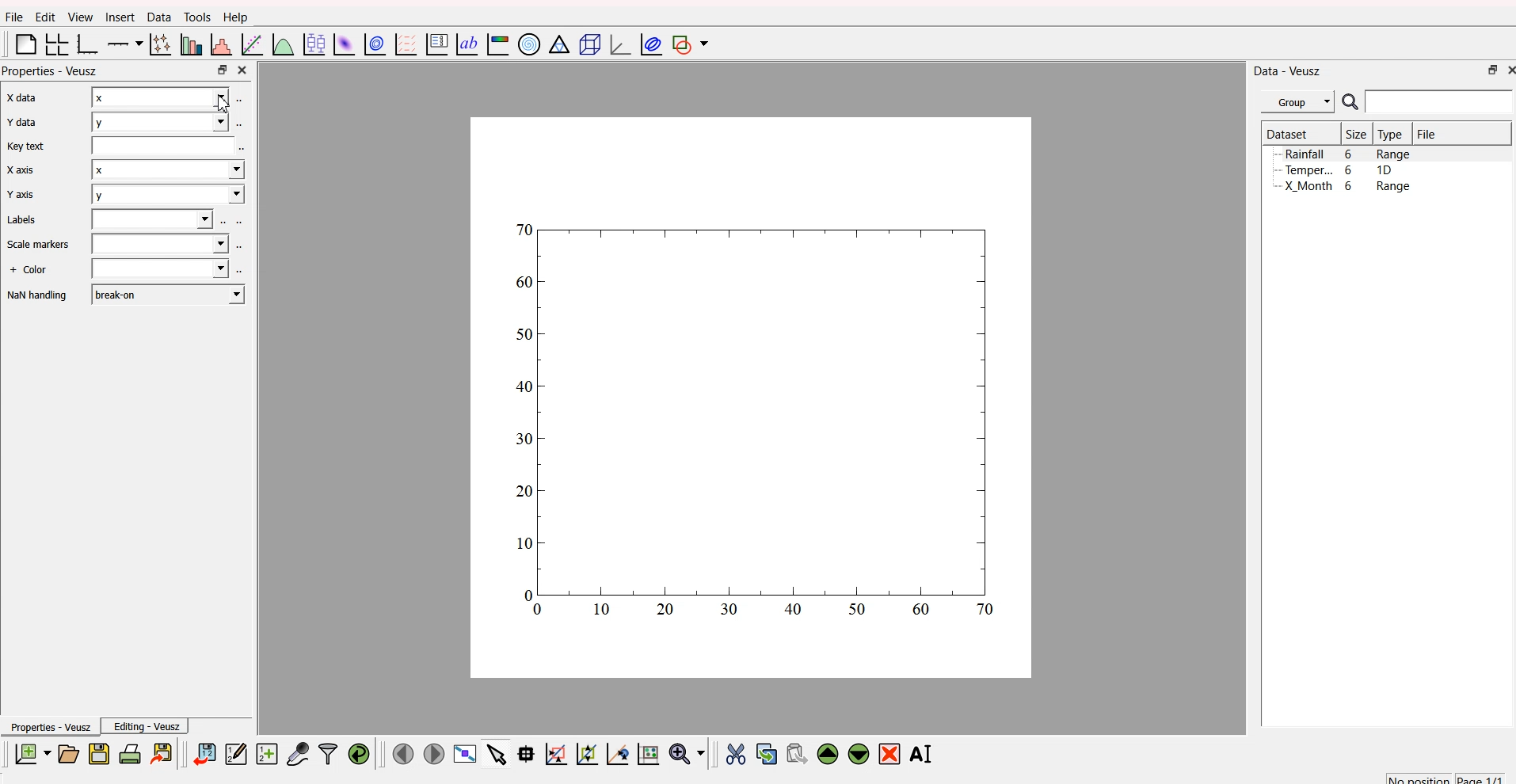 This screenshot has width=1516, height=784. I want to click on field, so click(163, 244).